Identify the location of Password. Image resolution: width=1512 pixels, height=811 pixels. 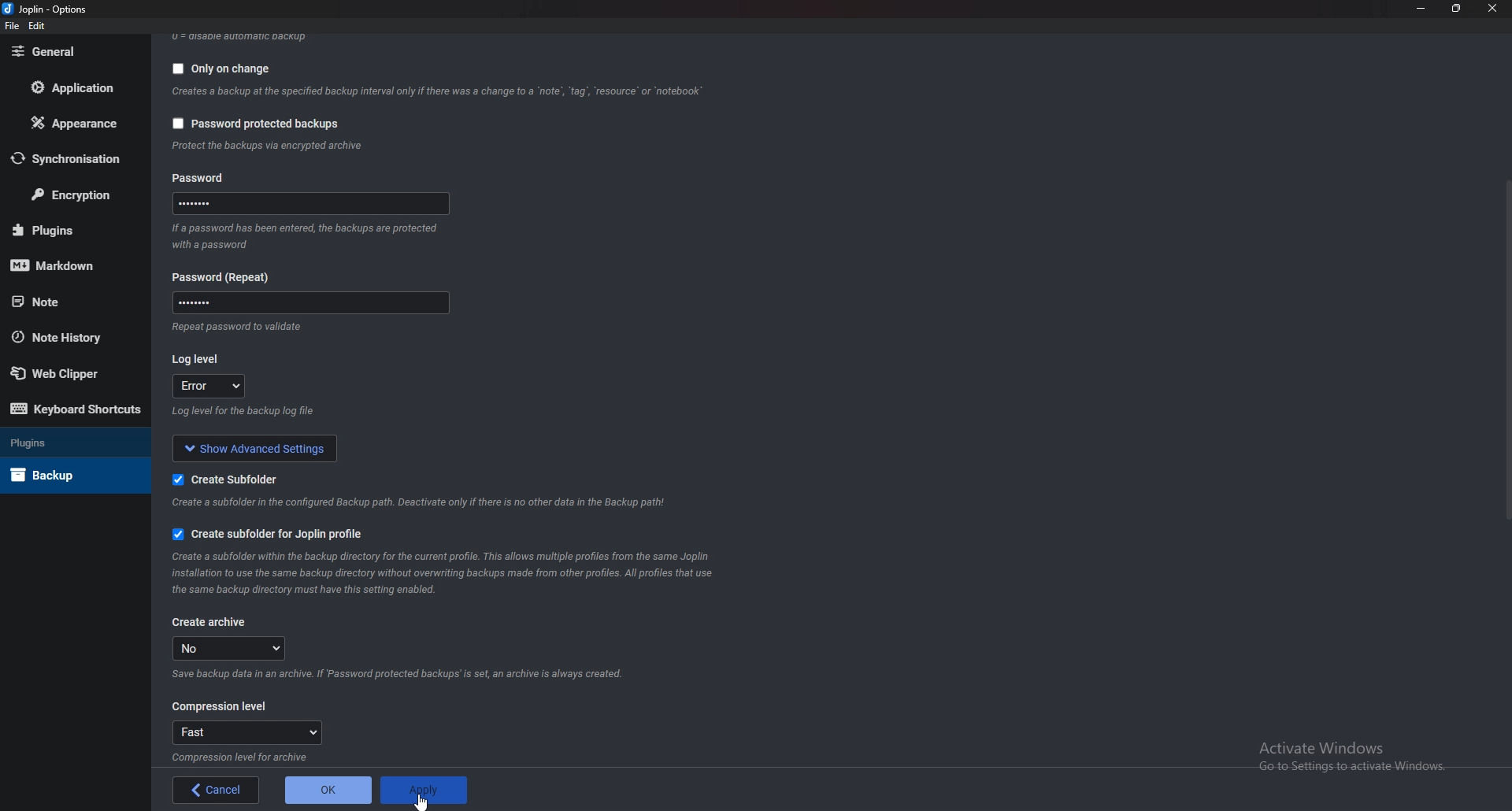
(224, 277).